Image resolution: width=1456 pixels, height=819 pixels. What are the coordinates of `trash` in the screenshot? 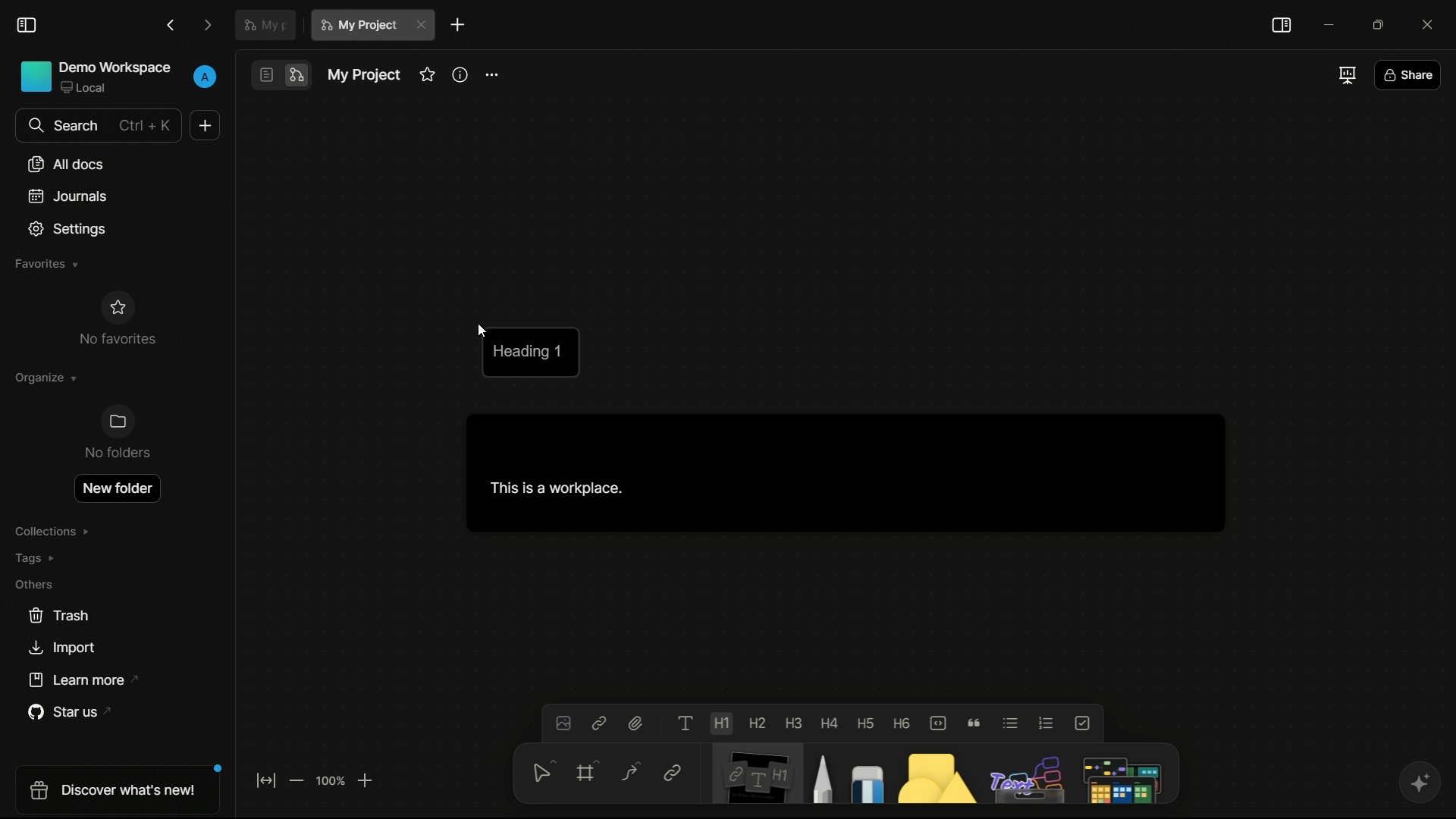 It's located at (61, 617).